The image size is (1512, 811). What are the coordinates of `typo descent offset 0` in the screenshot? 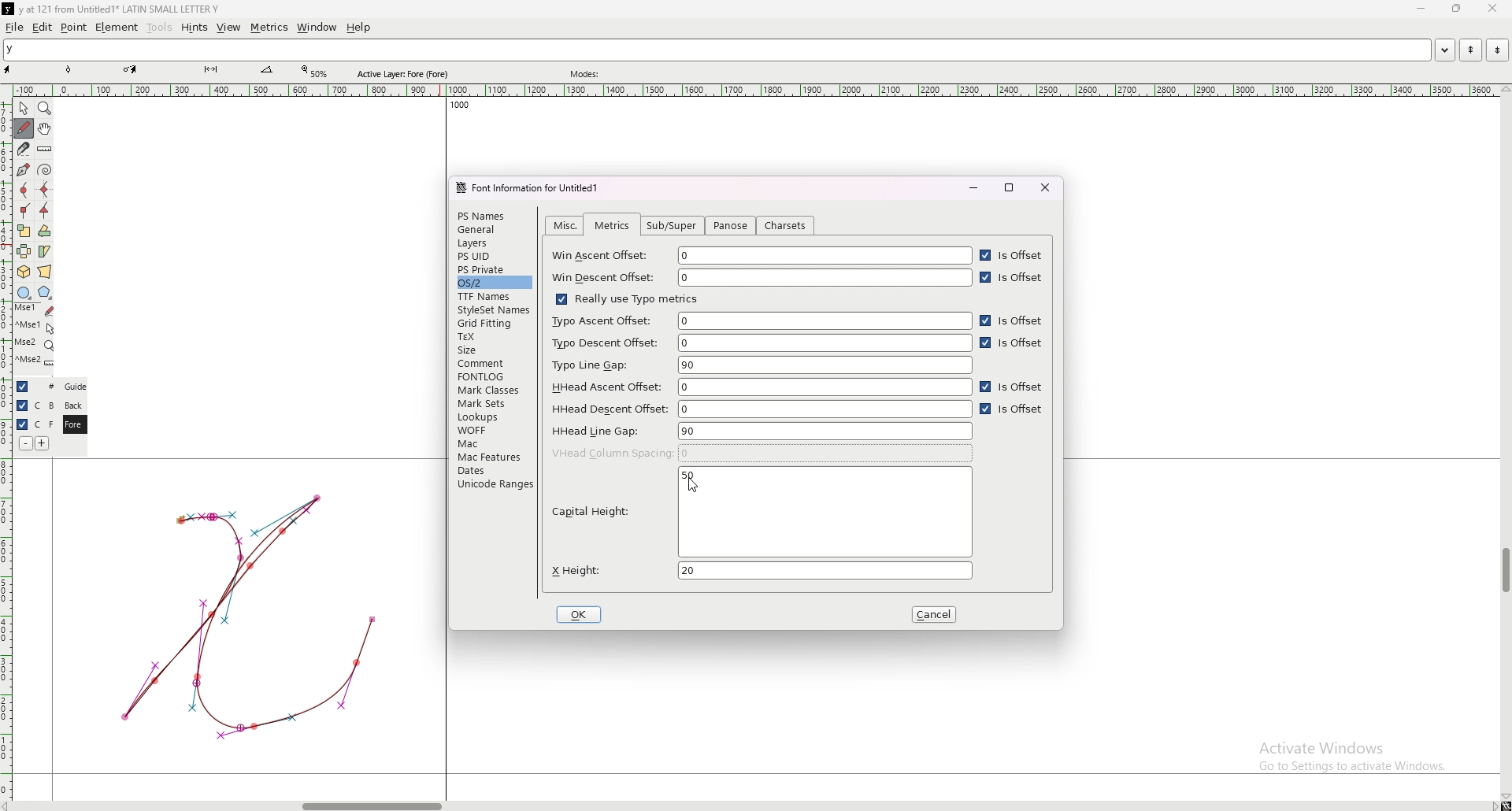 It's located at (760, 343).